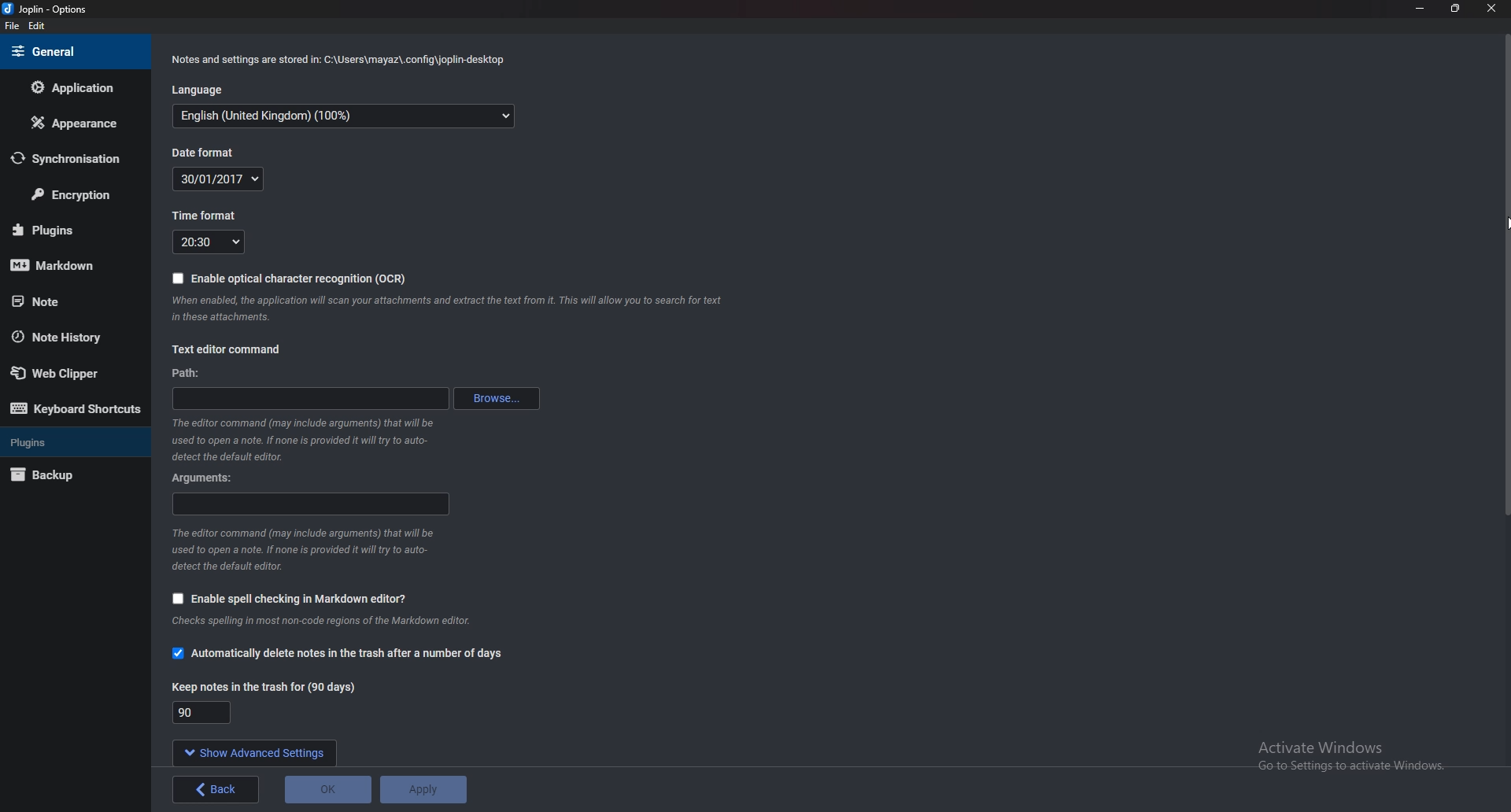  What do you see at coordinates (72, 51) in the screenshot?
I see `general` at bounding box center [72, 51].